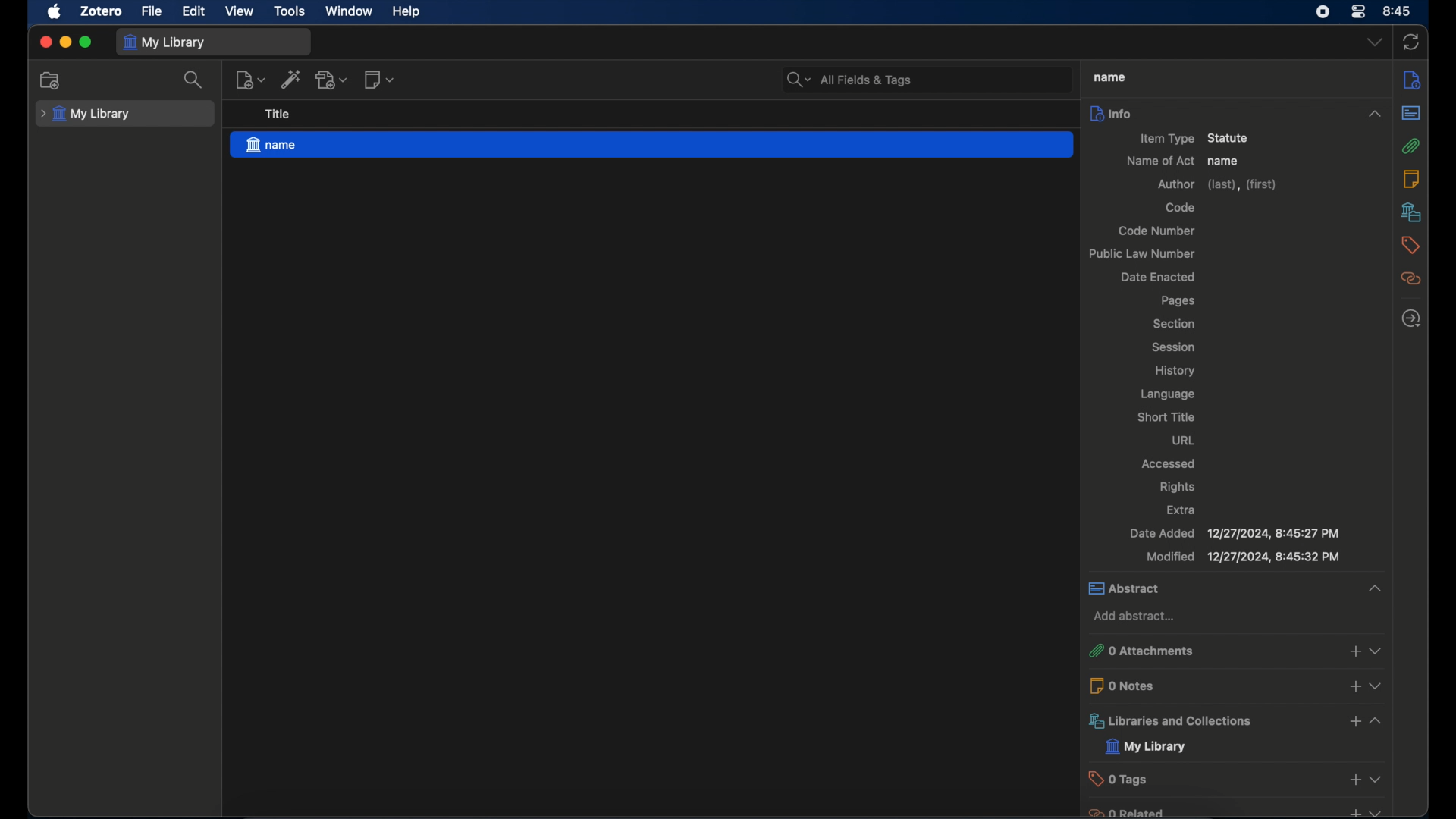  What do you see at coordinates (87, 115) in the screenshot?
I see `my library` at bounding box center [87, 115].